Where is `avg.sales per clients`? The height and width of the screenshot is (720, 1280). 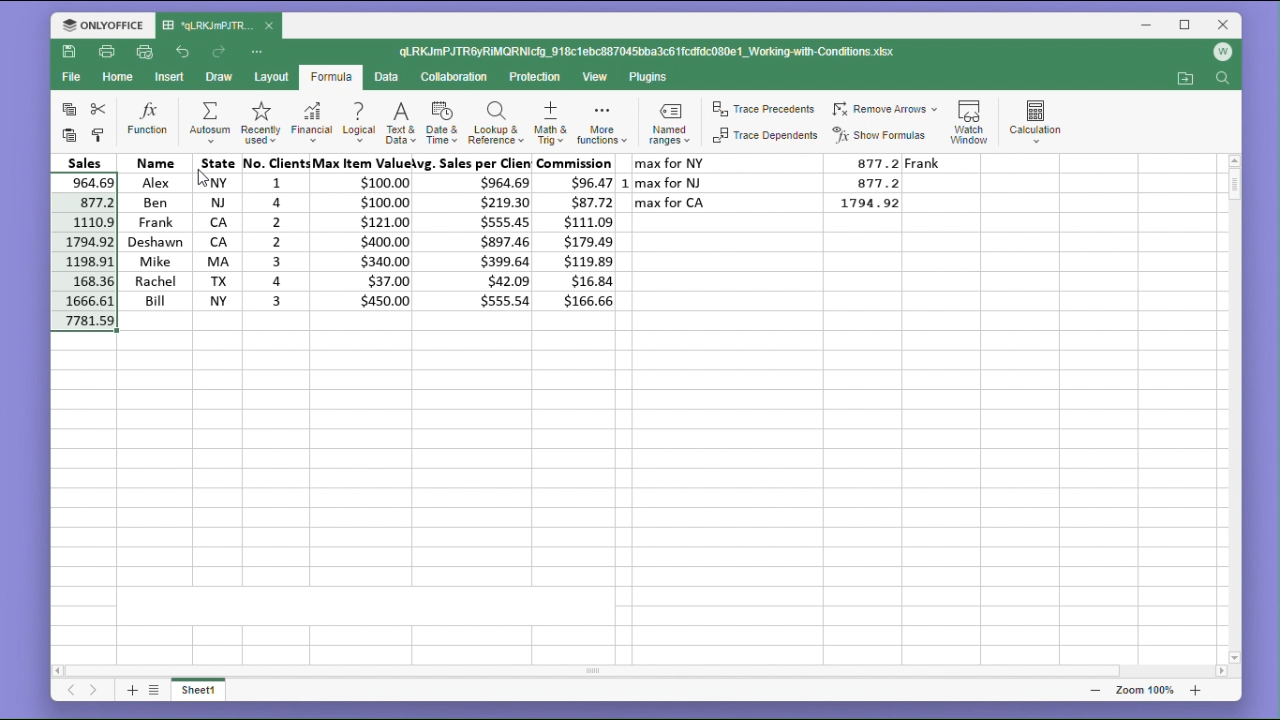 avg.sales per clients is located at coordinates (477, 235).